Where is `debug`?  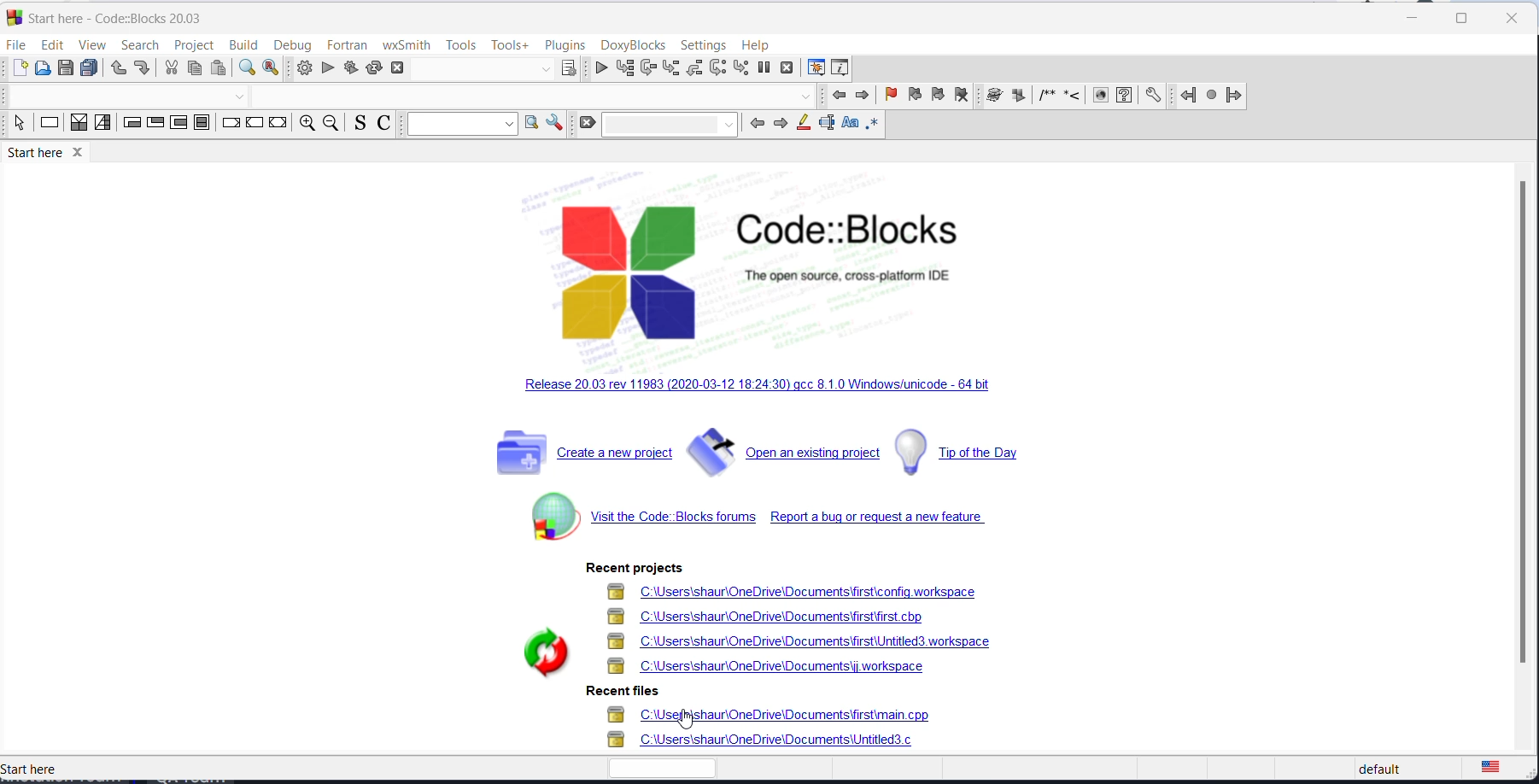 debug is located at coordinates (289, 44).